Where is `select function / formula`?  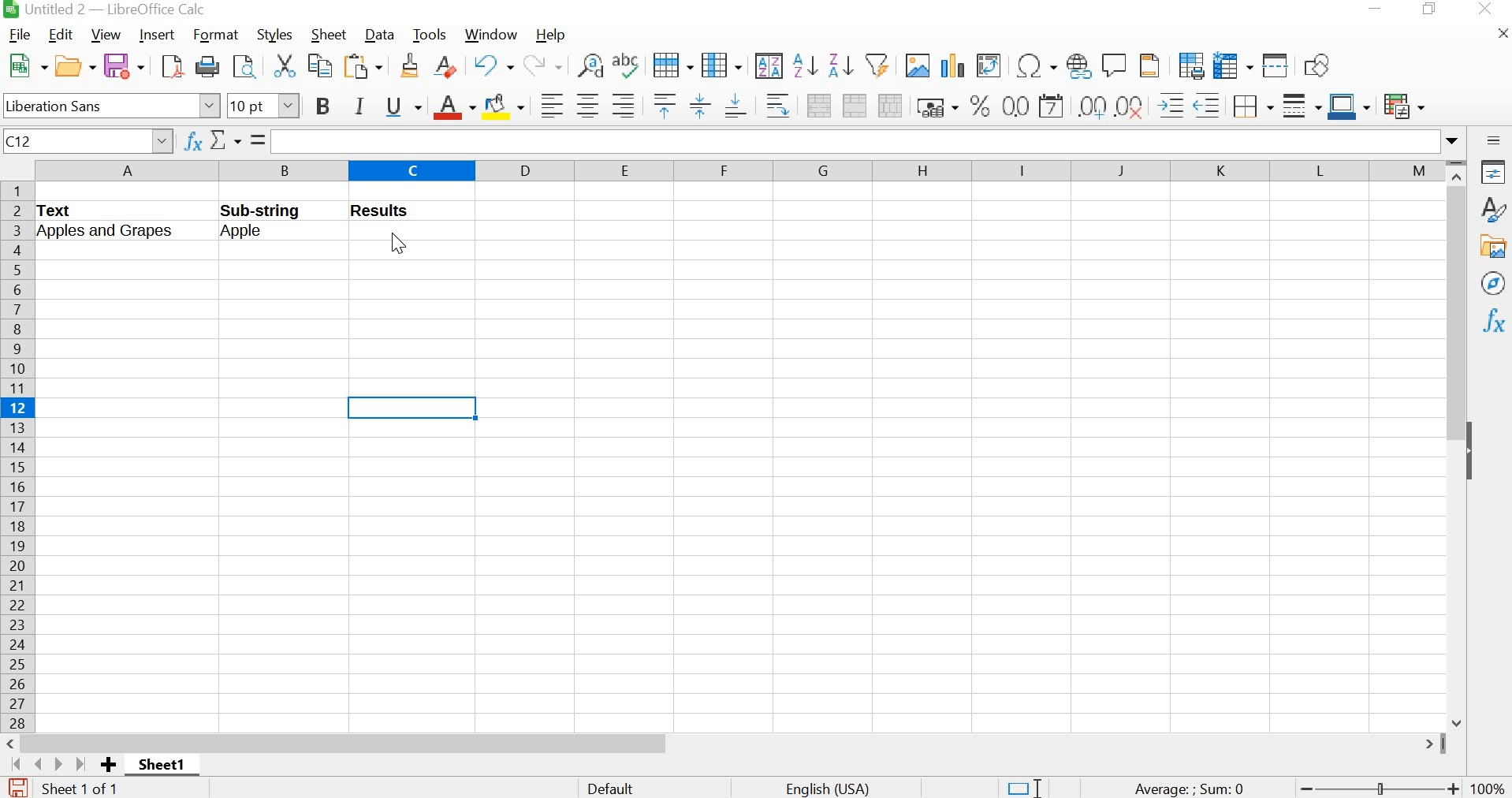 select function / formula is located at coordinates (240, 141).